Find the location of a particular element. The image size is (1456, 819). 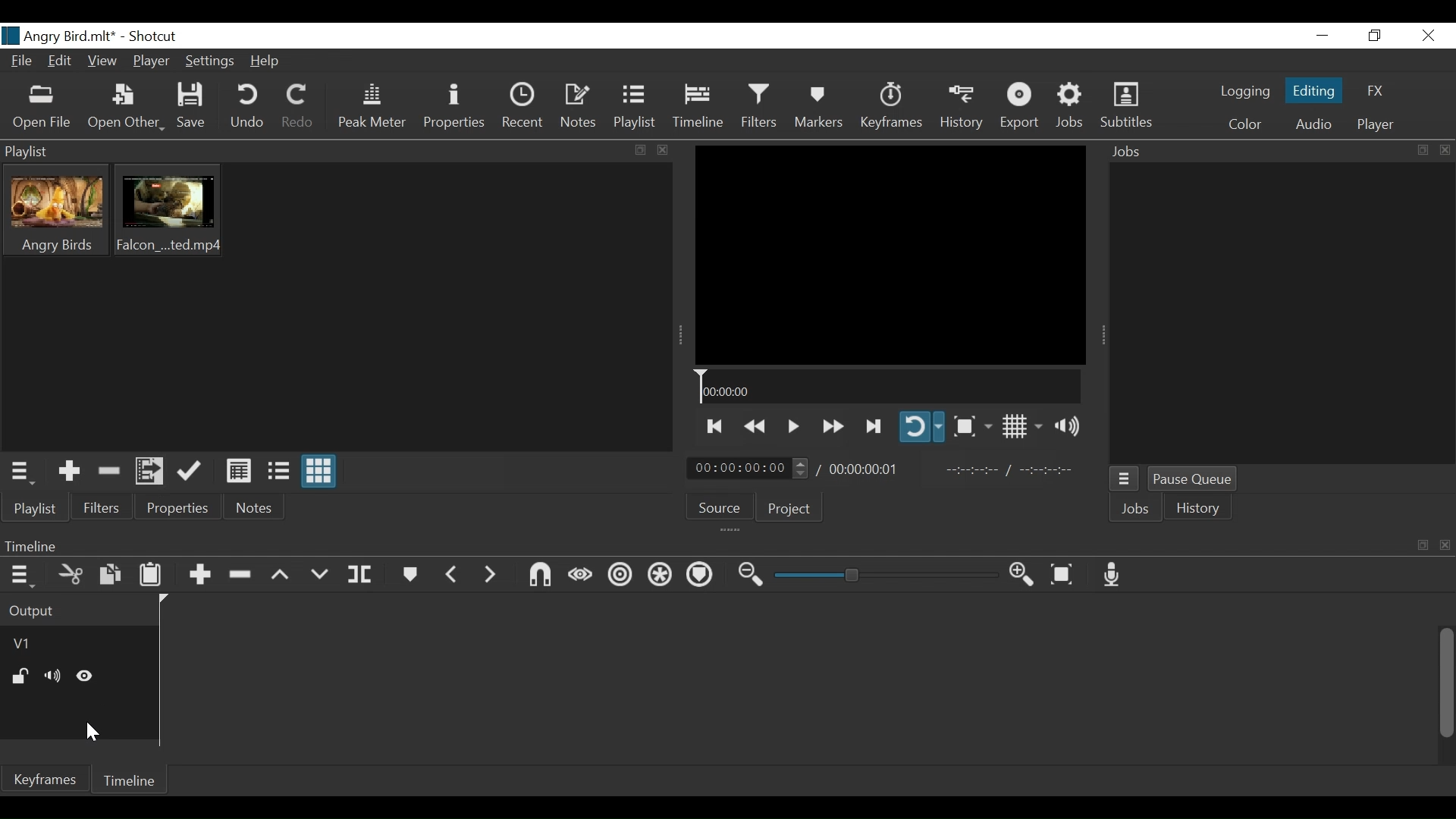

Record audio is located at coordinates (1109, 574).